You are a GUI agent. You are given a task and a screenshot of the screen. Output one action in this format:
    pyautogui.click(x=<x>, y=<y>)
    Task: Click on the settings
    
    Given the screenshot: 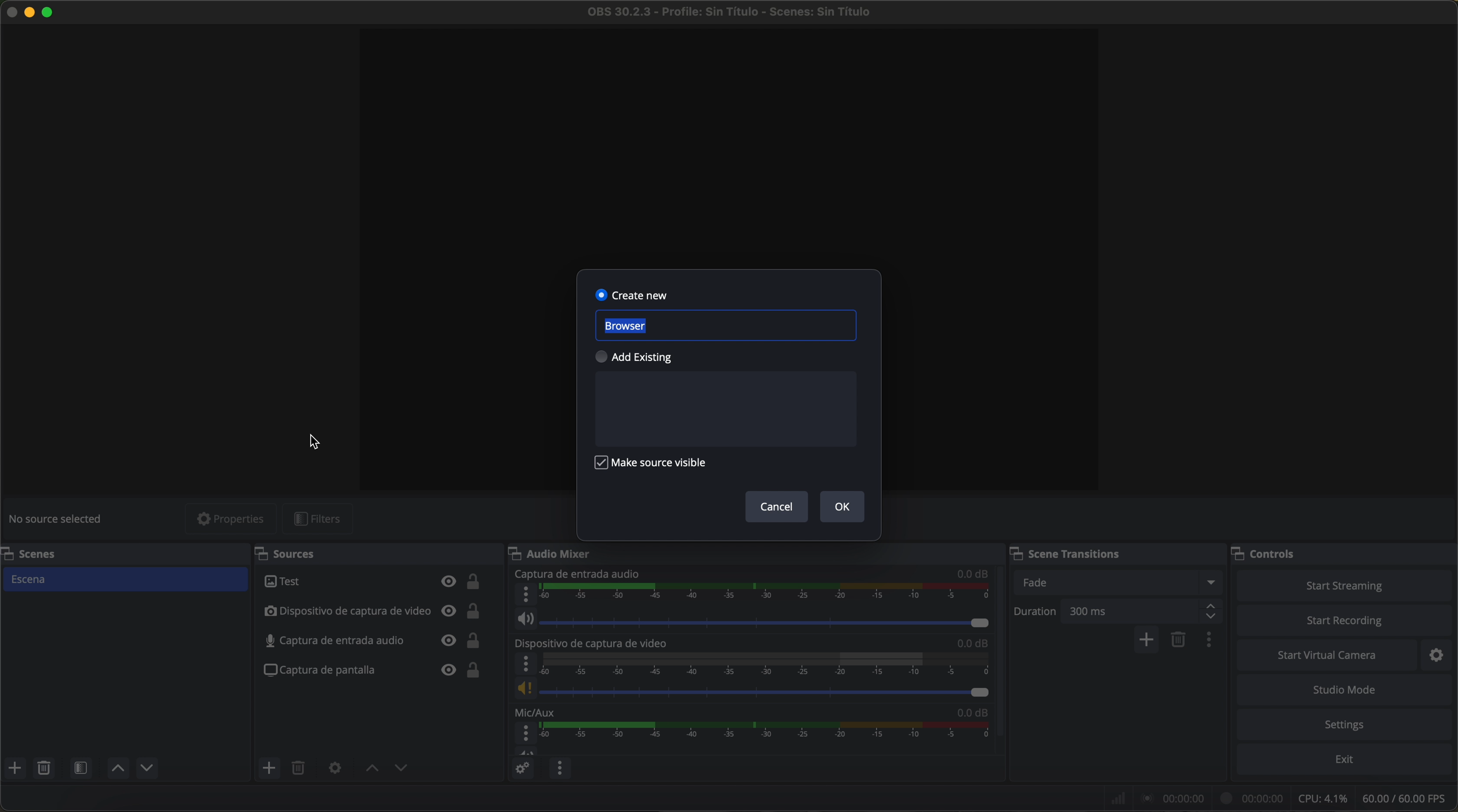 What is the action you would take?
    pyautogui.click(x=1346, y=724)
    